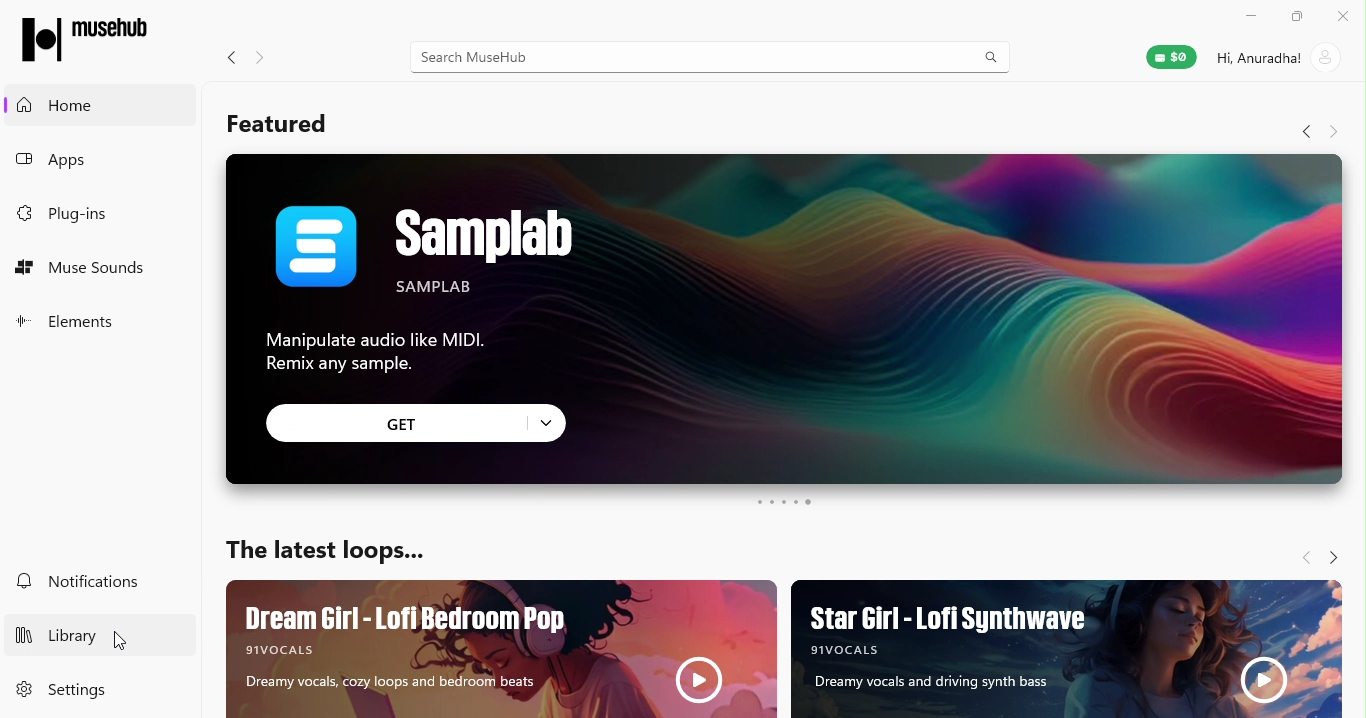  What do you see at coordinates (1343, 14) in the screenshot?
I see `Close` at bounding box center [1343, 14].